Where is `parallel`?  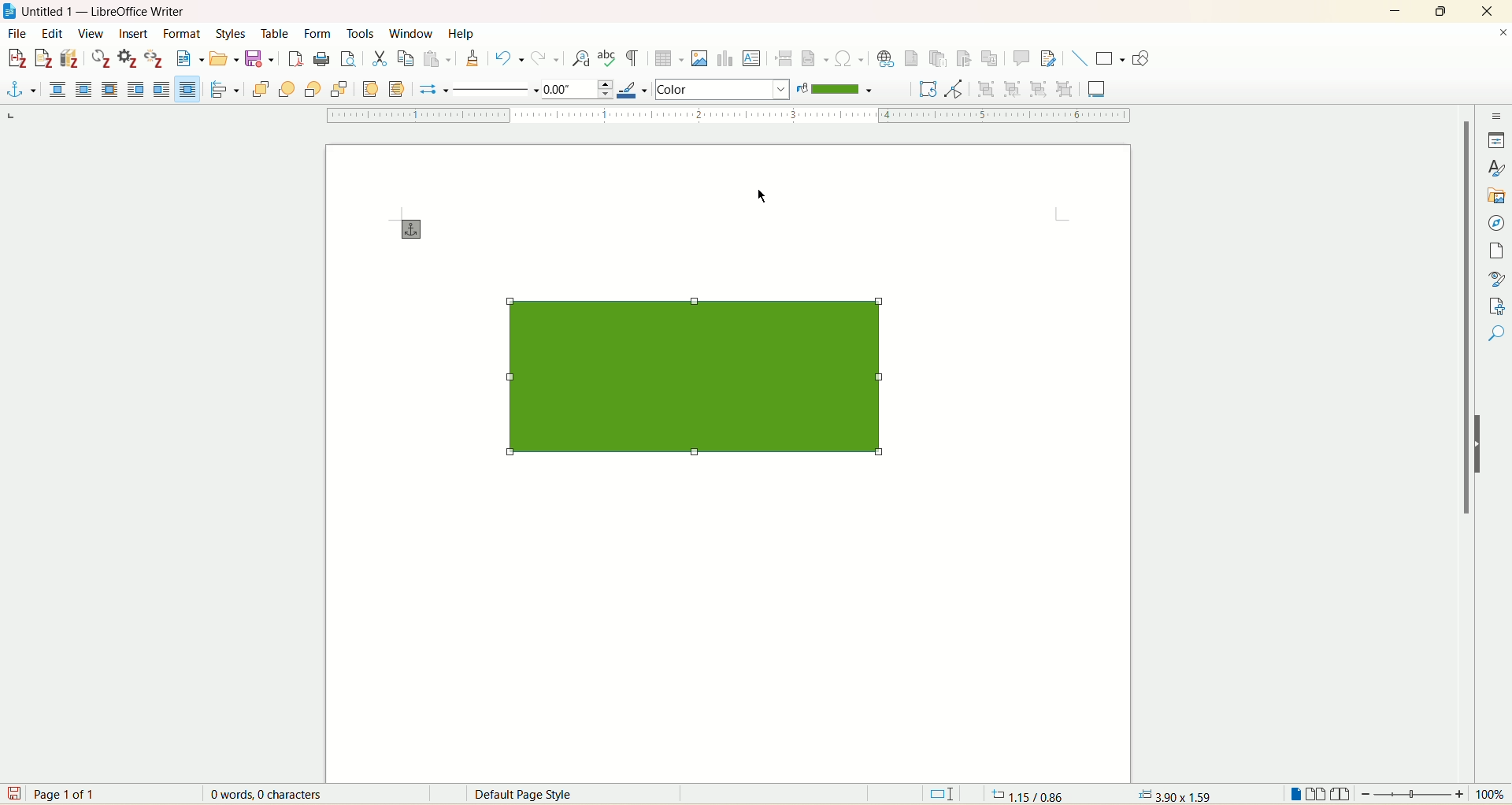 parallel is located at coordinates (83, 89).